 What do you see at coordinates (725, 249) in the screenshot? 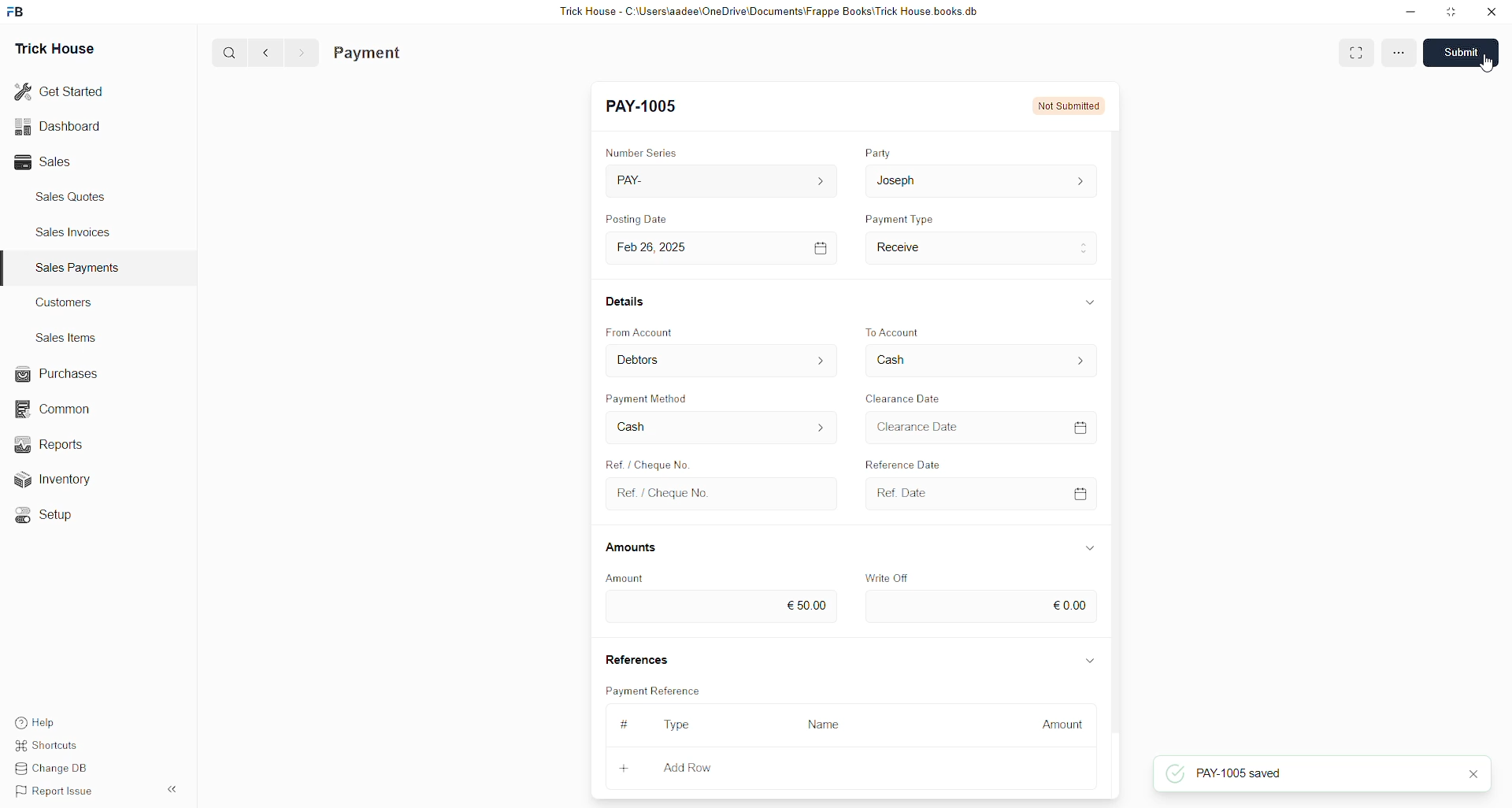
I see `Feb 26, 2025` at bounding box center [725, 249].